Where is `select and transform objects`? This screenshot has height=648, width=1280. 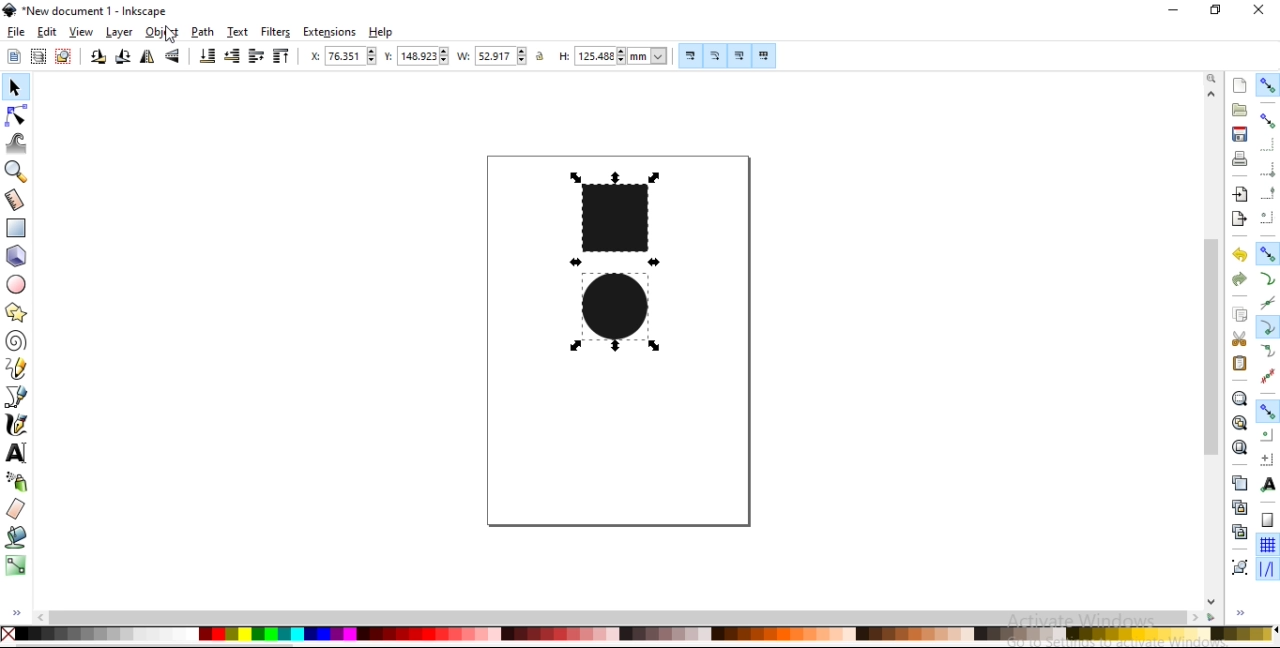
select and transform objects is located at coordinates (16, 88).